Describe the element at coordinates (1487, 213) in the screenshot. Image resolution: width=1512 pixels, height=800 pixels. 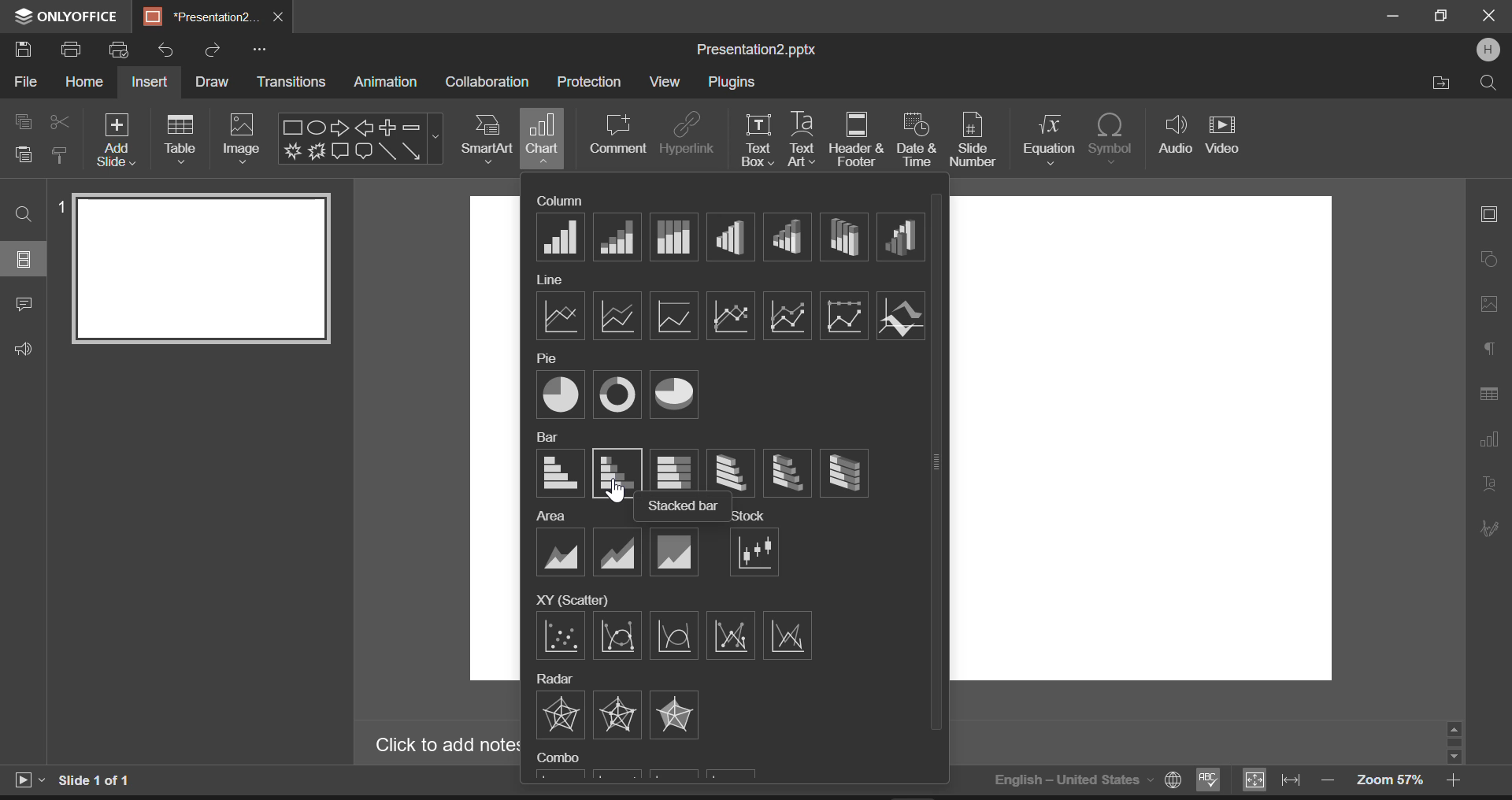
I see `Slide Settings` at that location.